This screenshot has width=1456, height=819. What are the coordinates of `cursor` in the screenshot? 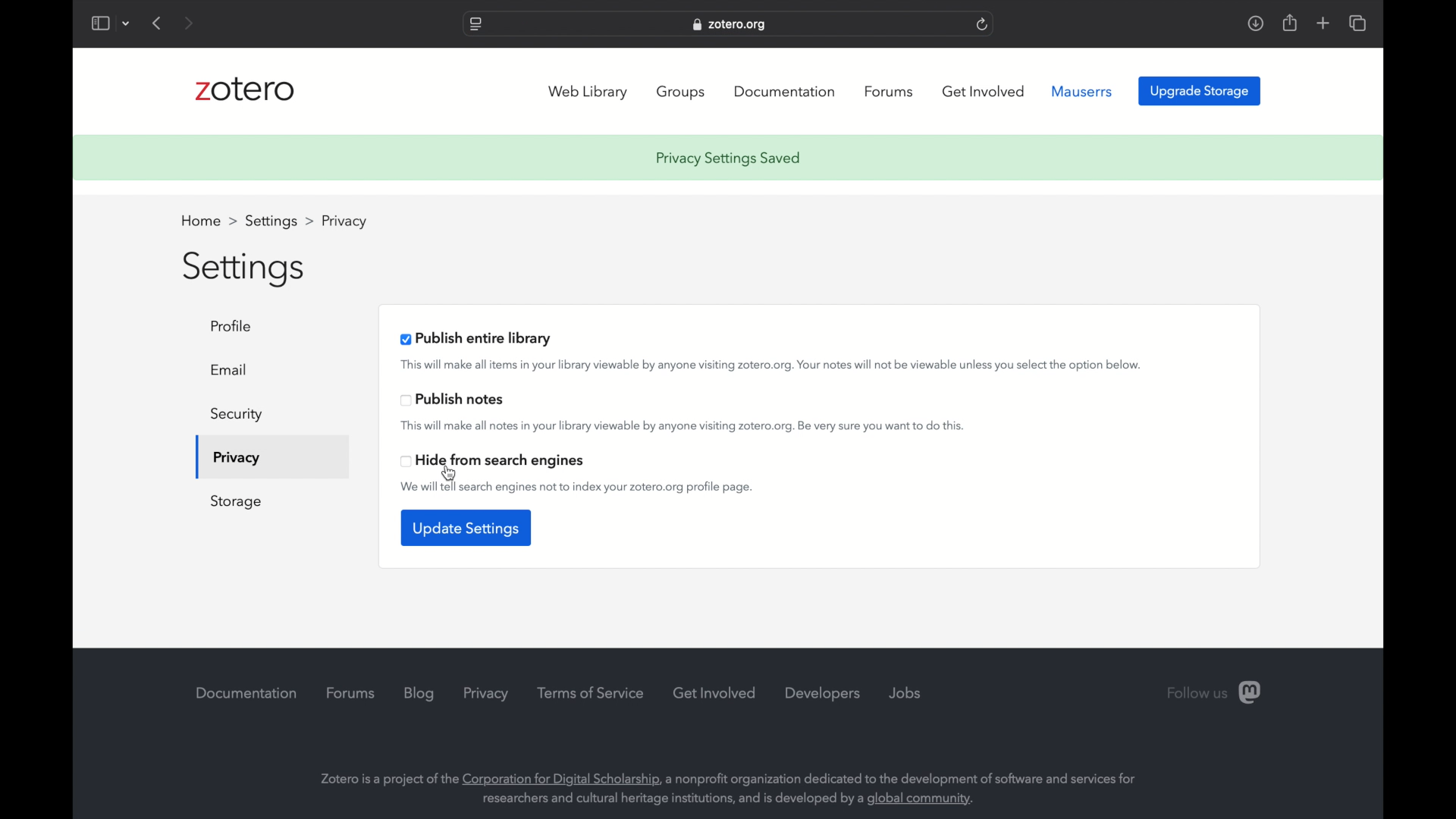 It's located at (450, 473).